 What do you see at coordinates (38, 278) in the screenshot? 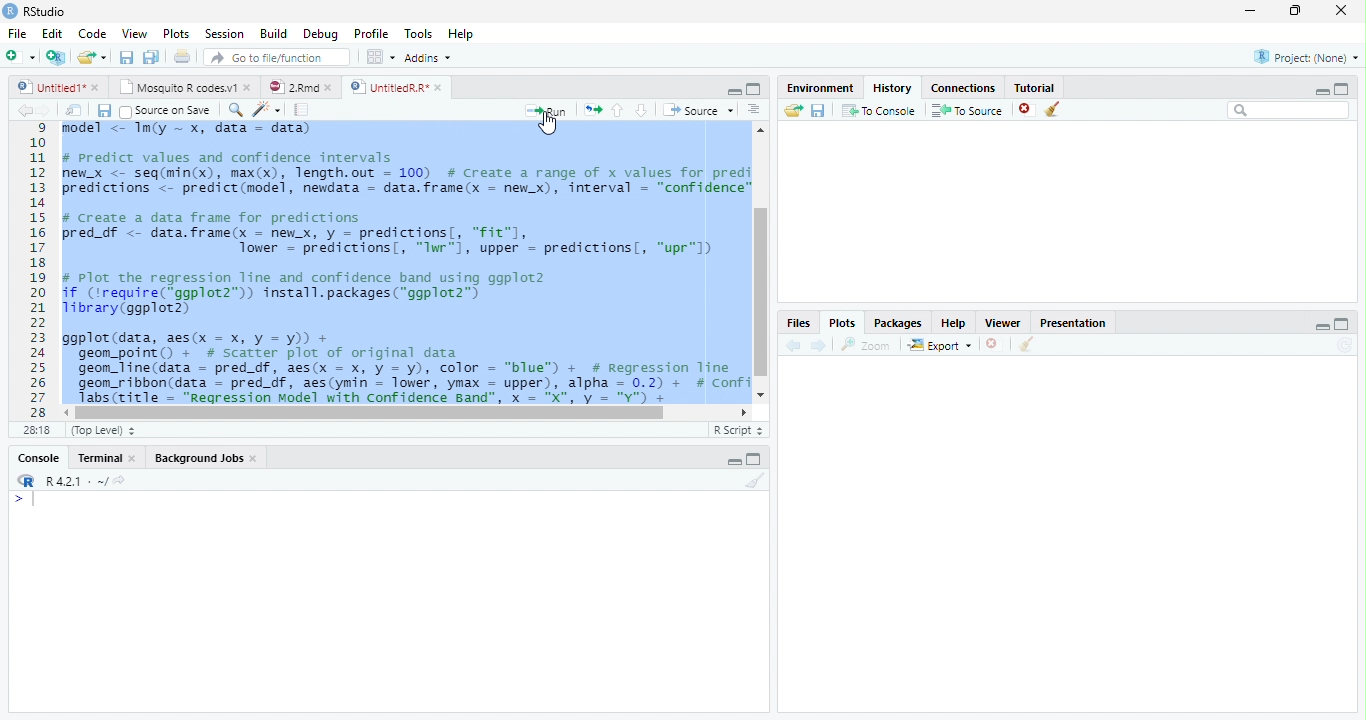
I see `11121311s161718192021223225262728` at bounding box center [38, 278].